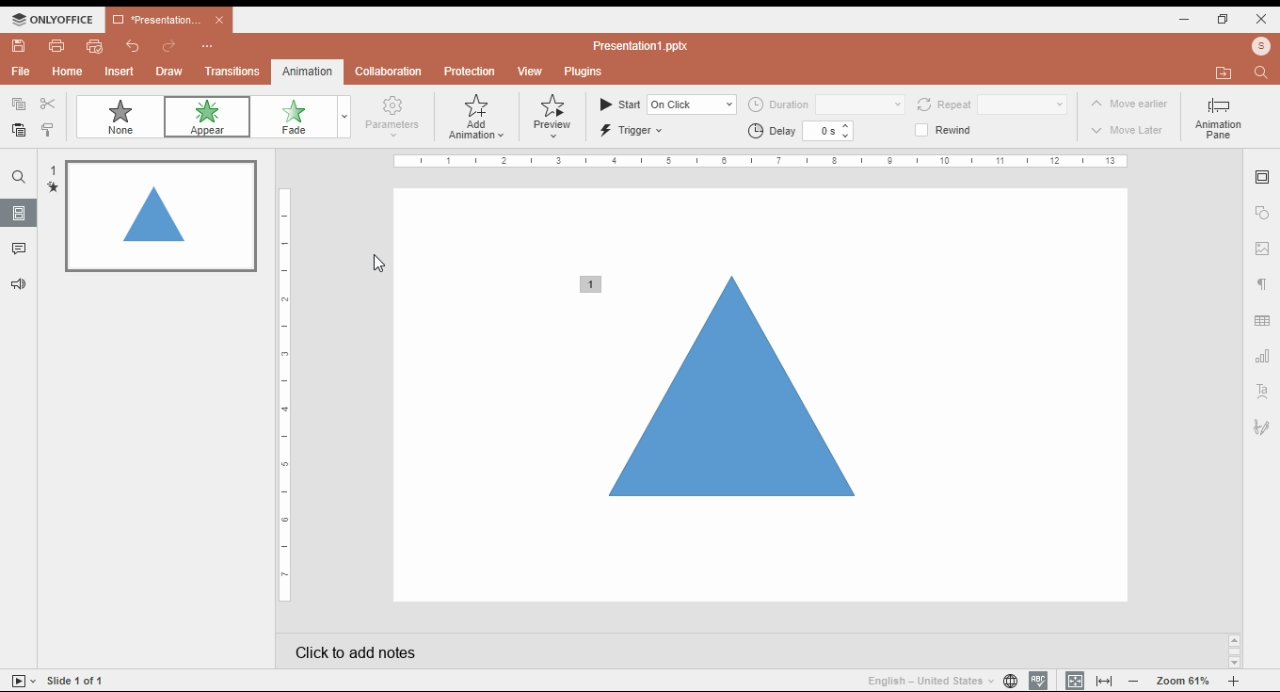 This screenshot has height=692, width=1280. Describe the element at coordinates (621, 104) in the screenshot. I see `start` at that location.